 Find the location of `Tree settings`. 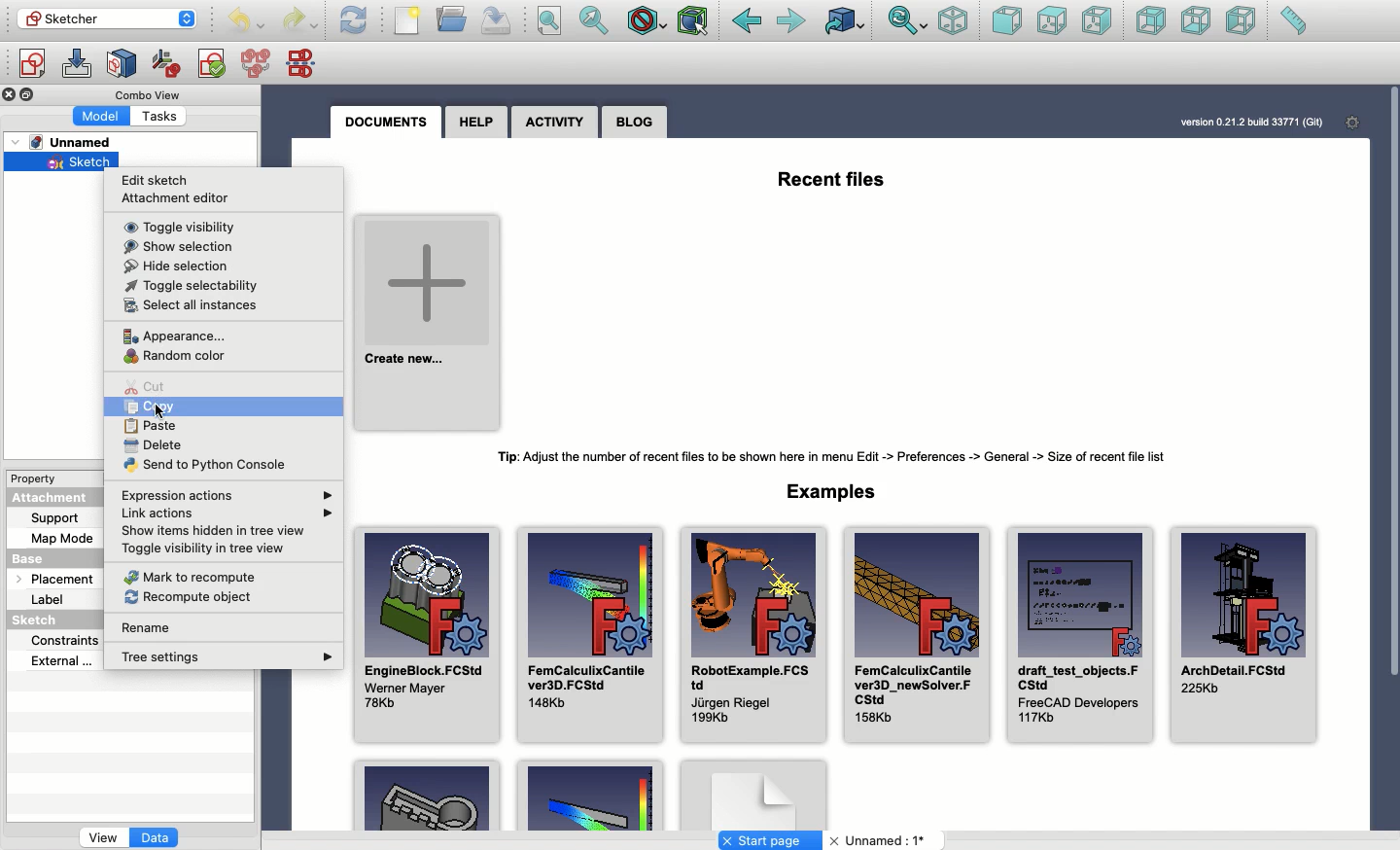

Tree settings is located at coordinates (227, 658).